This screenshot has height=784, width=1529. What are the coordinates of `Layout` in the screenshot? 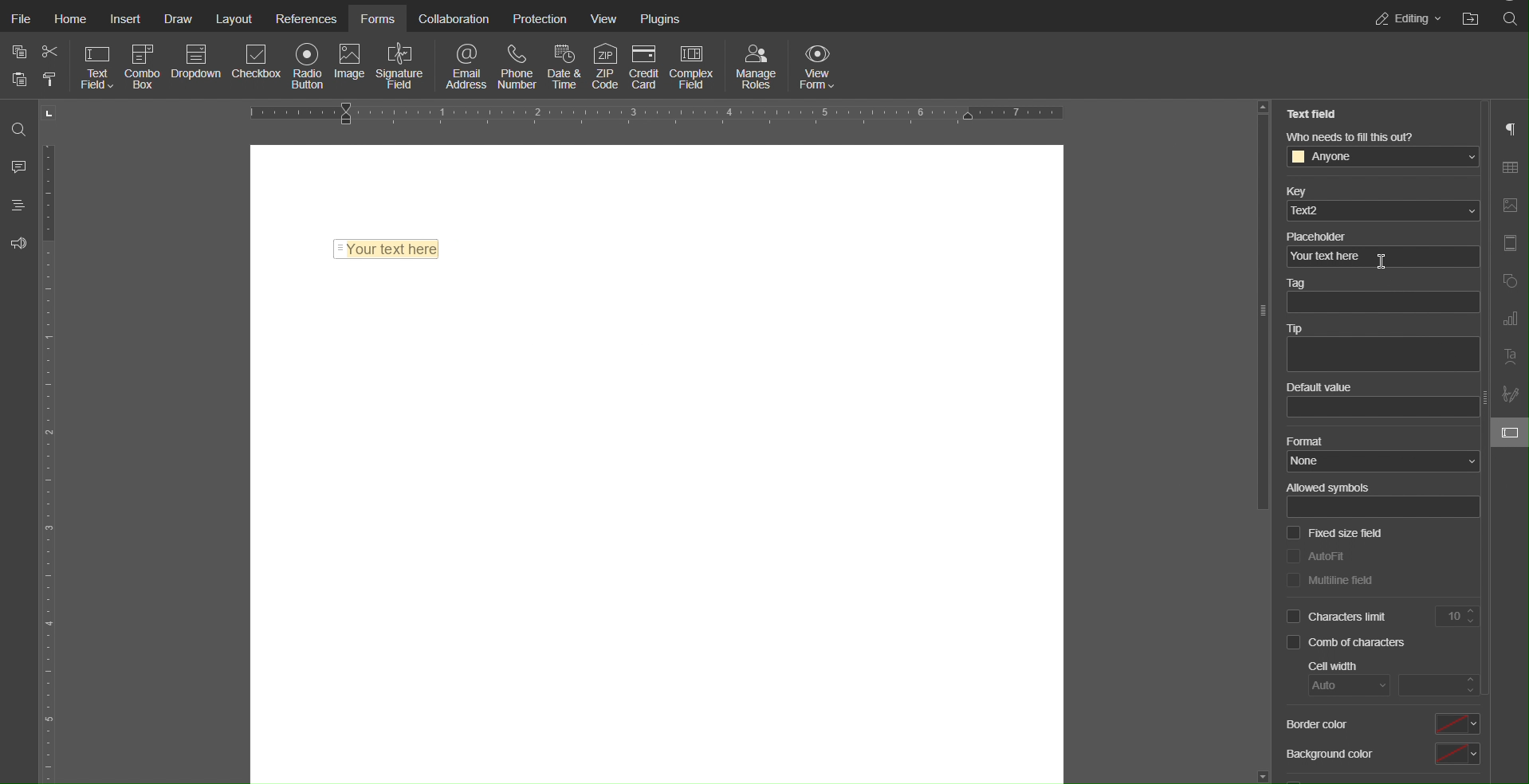 It's located at (233, 20).